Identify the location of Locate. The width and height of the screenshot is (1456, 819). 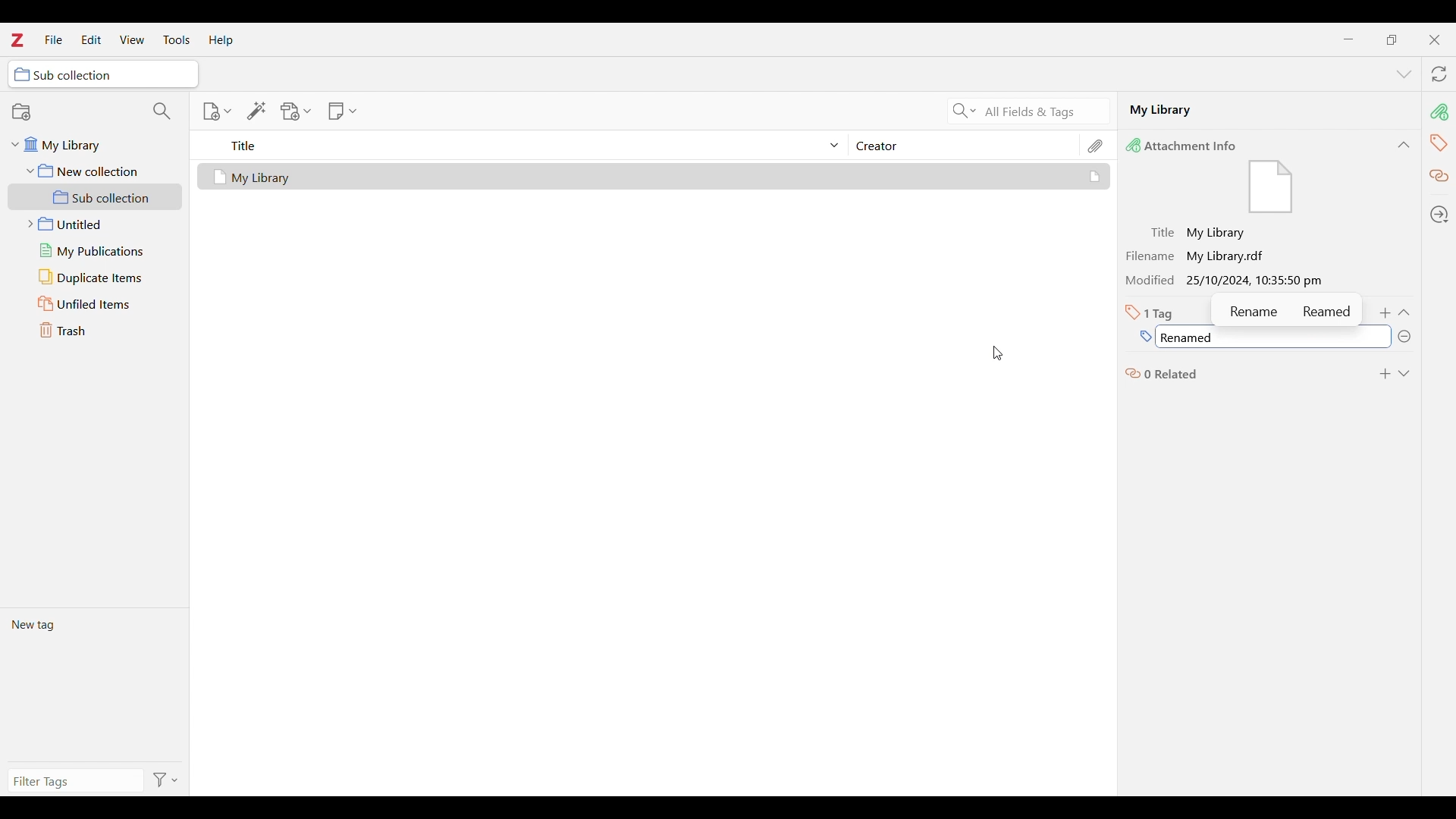
(1439, 215).